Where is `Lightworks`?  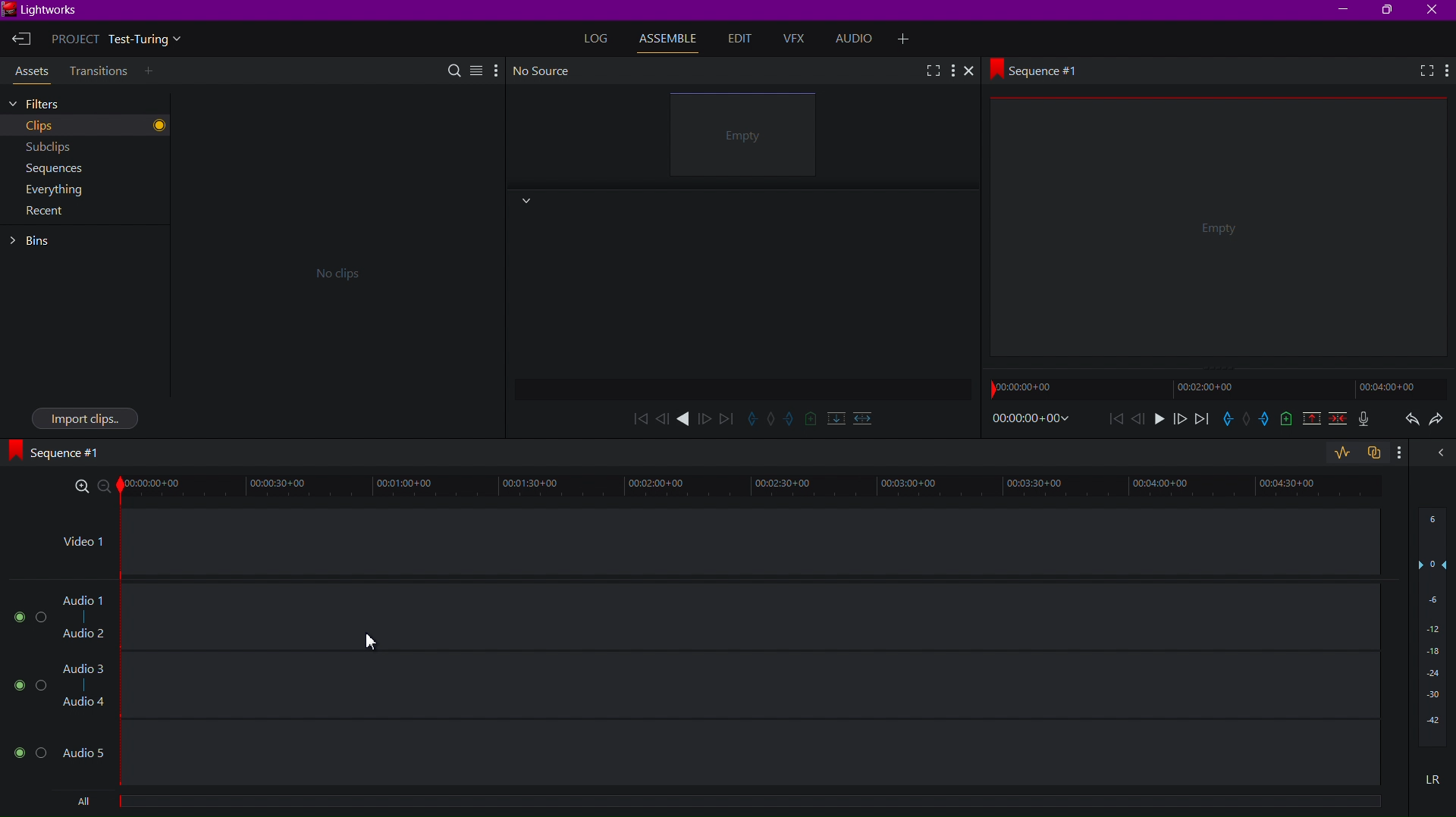
Lightworks is located at coordinates (45, 11).